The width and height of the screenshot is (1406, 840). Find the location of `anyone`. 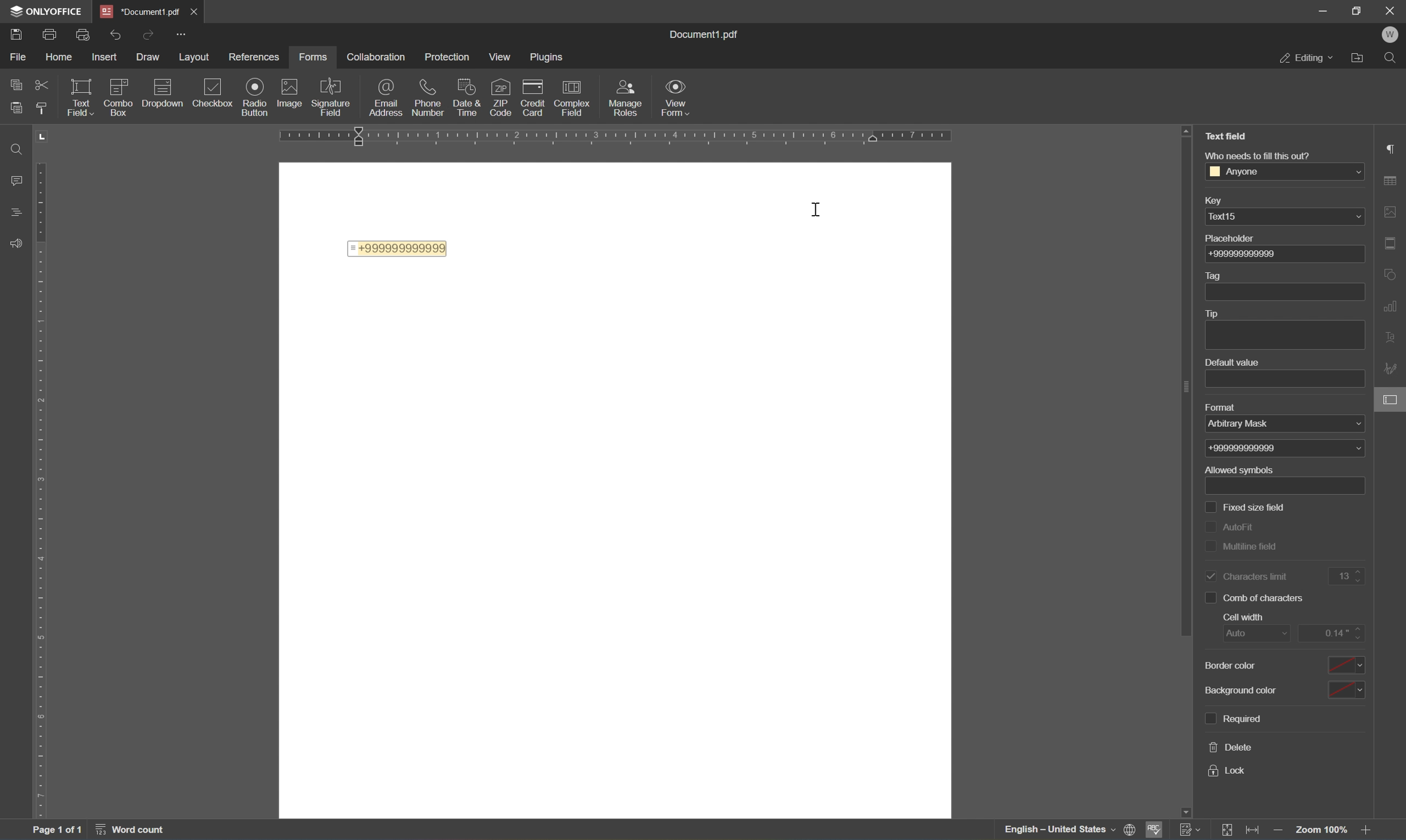

anyone is located at coordinates (1234, 172).